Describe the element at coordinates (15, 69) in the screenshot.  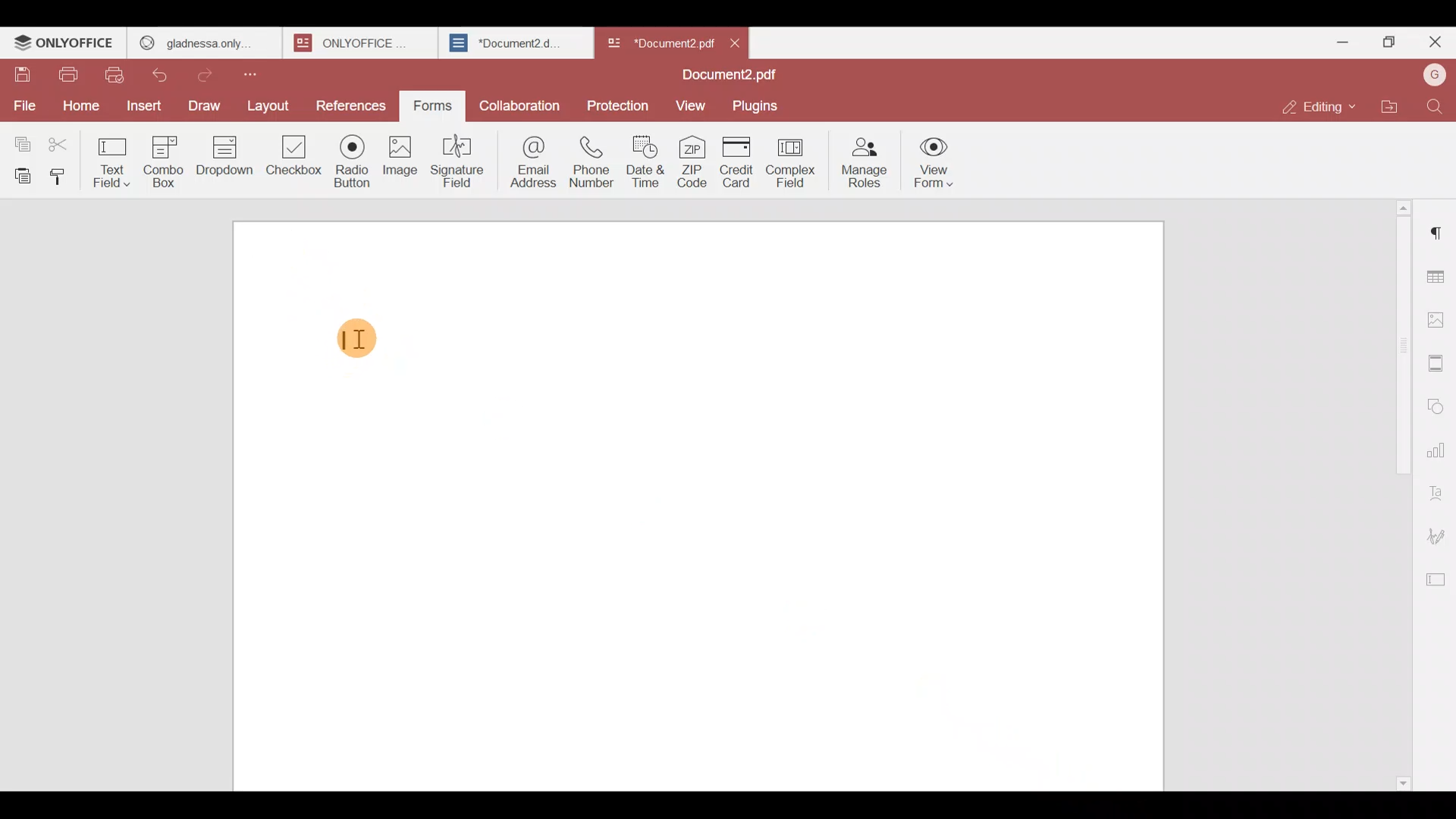
I see `Save` at that location.